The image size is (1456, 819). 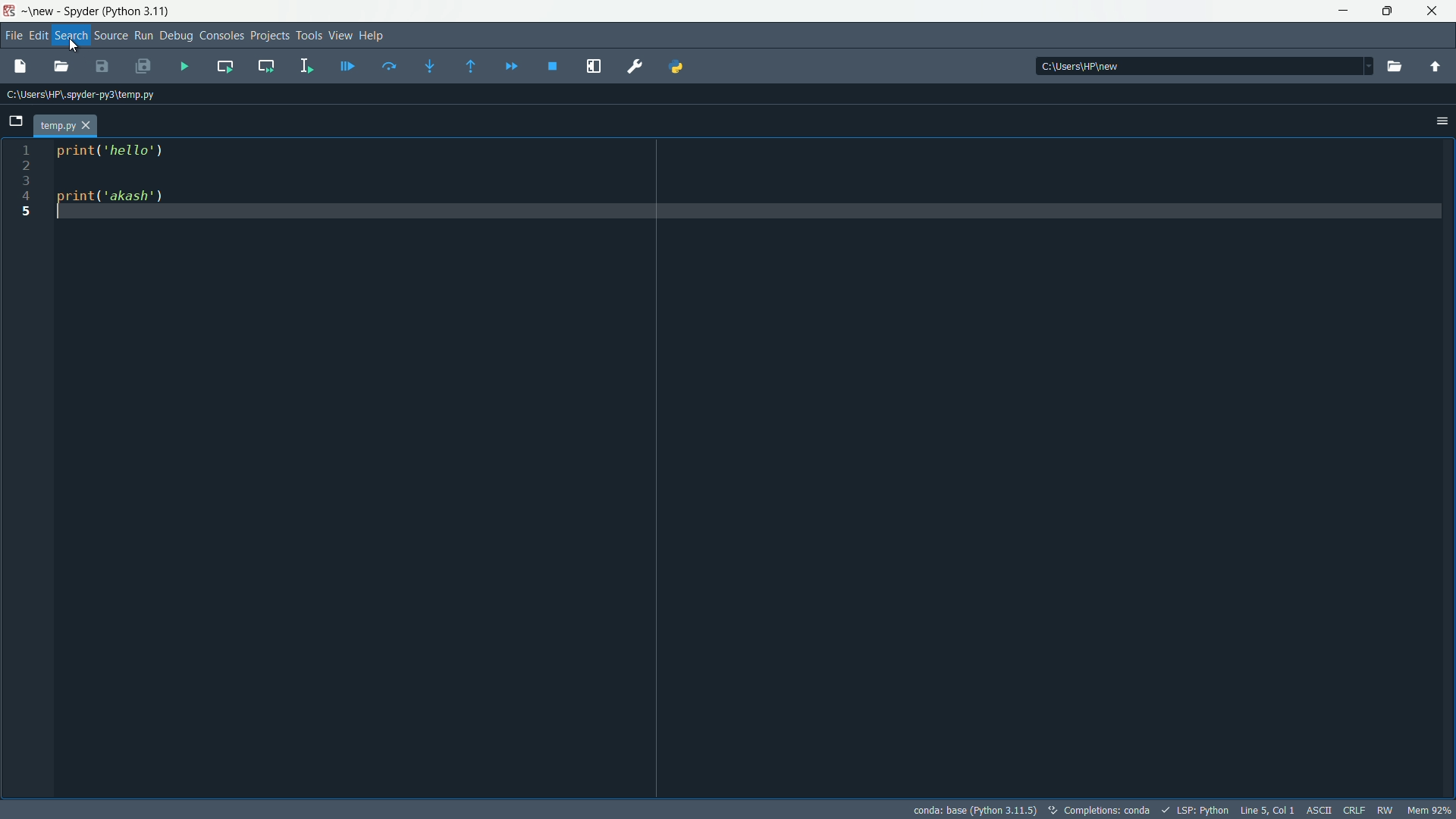 What do you see at coordinates (1432, 810) in the screenshot?
I see `memory usage` at bounding box center [1432, 810].